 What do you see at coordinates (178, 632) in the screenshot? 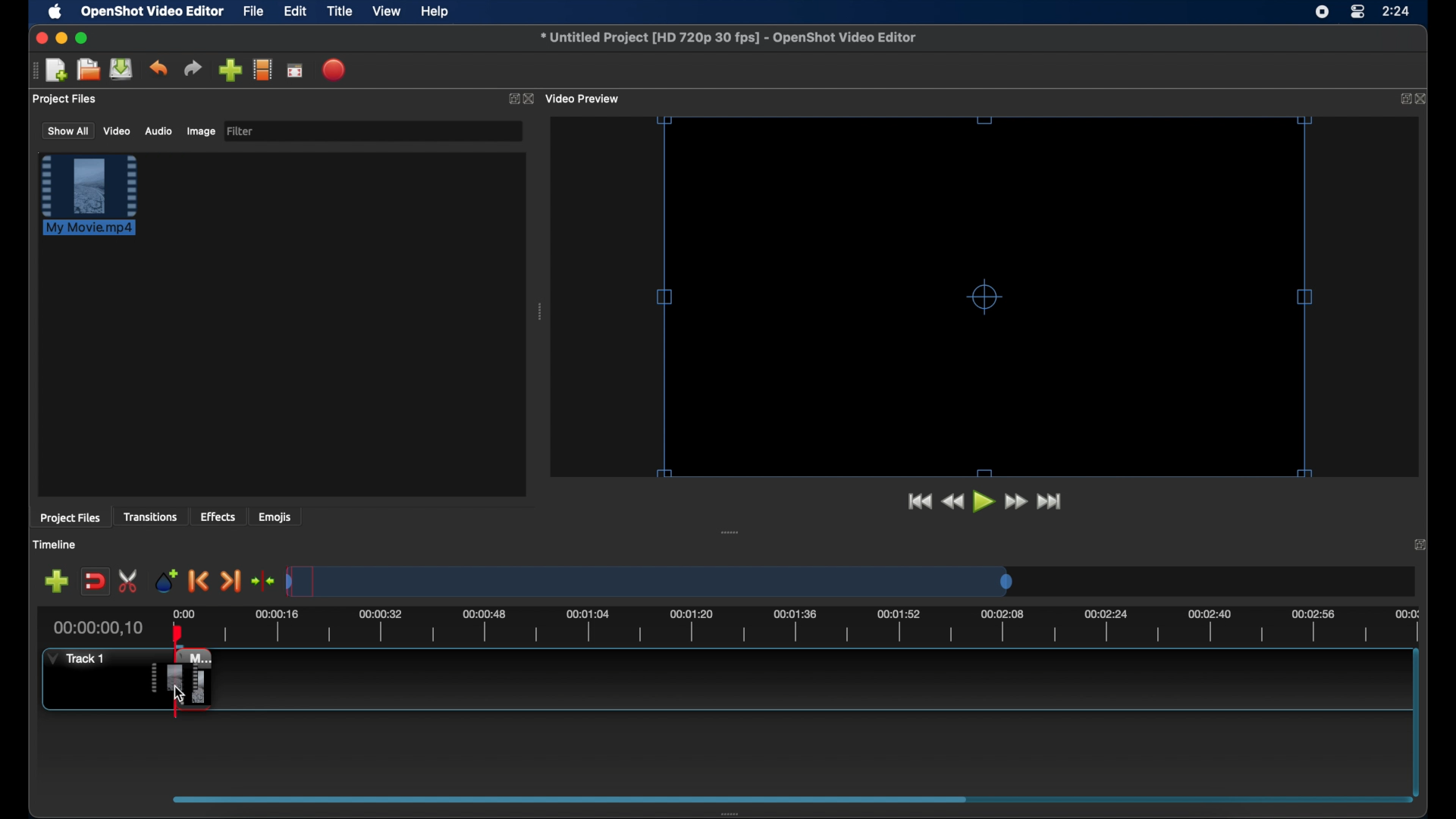
I see `playhead` at bounding box center [178, 632].